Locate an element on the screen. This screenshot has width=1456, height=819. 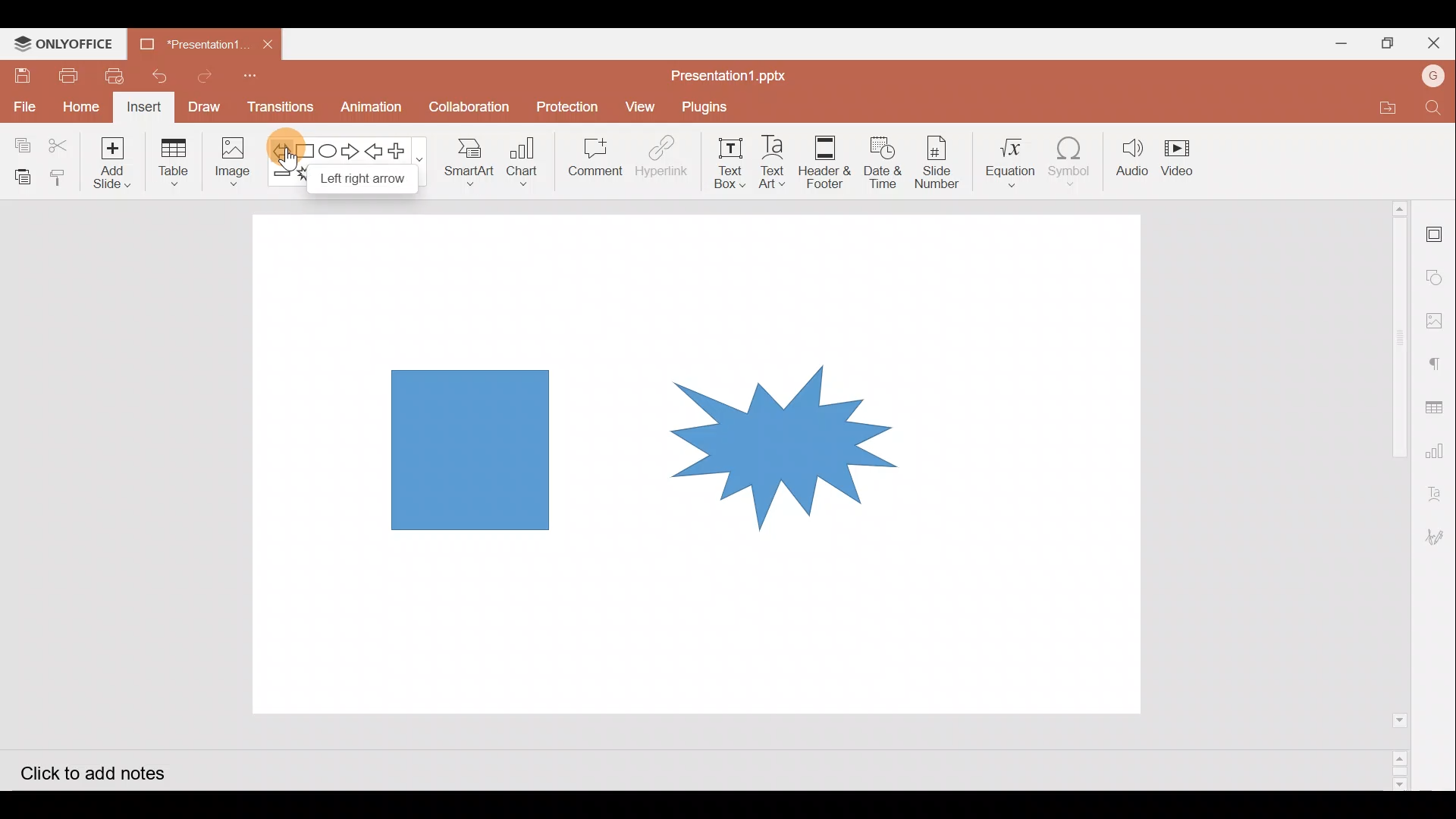
Copy style is located at coordinates (63, 177).